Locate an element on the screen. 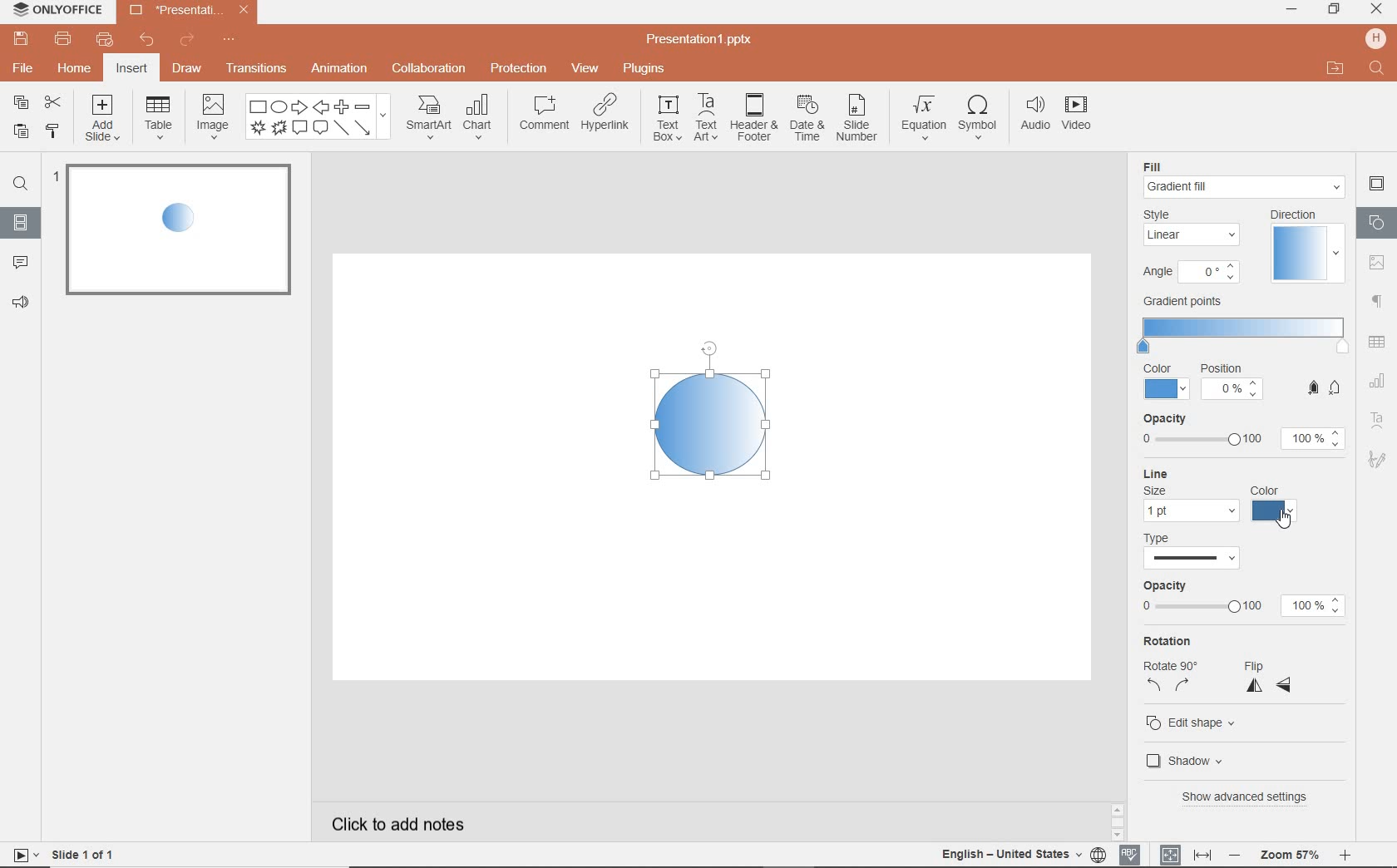 The width and height of the screenshot is (1397, 868). table settings is located at coordinates (1379, 341).